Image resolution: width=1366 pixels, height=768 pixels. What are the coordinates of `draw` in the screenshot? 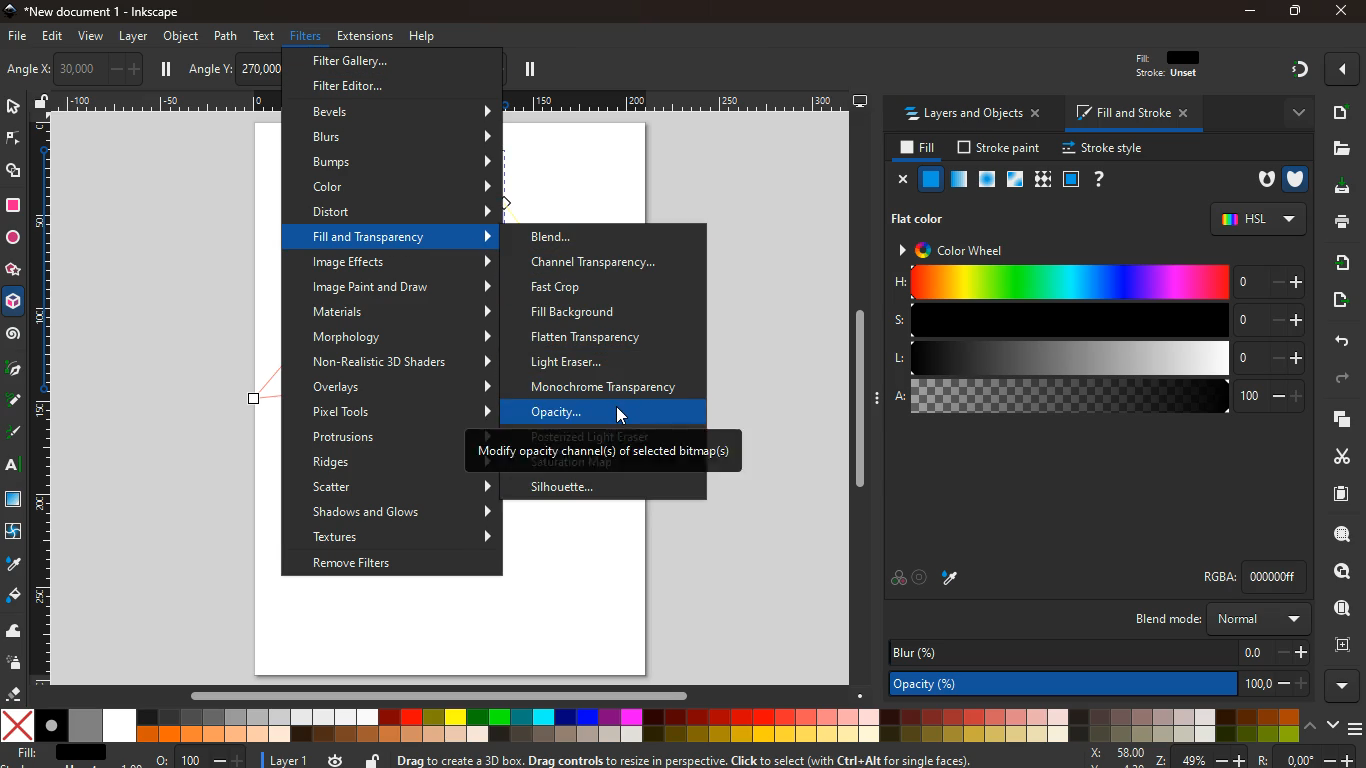 It's located at (14, 436).